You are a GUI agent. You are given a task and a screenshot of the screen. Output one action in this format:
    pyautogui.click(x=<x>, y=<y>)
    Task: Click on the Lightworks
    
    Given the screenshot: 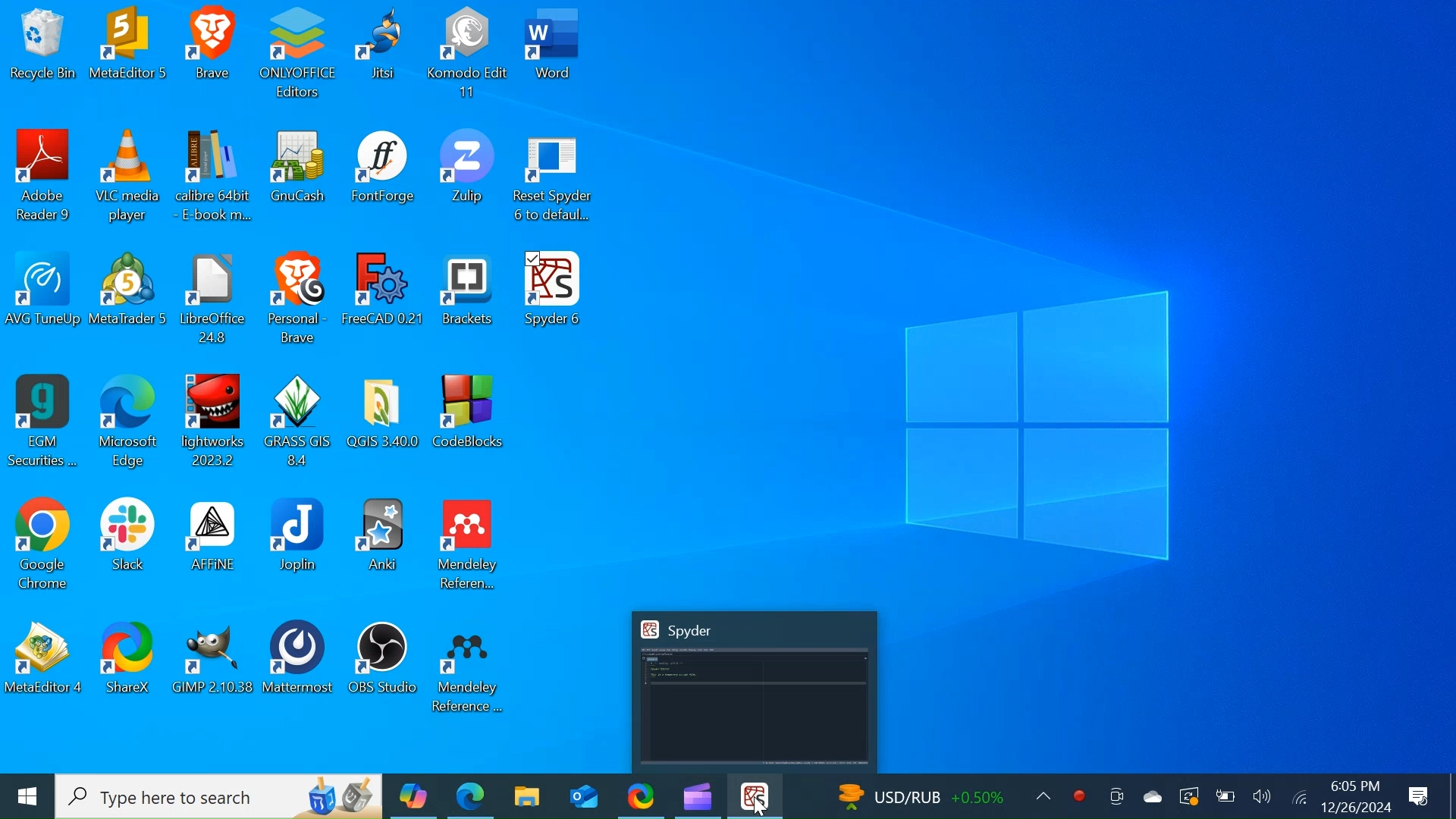 What is the action you would take?
    pyautogui.click(x=220, y=425)
    